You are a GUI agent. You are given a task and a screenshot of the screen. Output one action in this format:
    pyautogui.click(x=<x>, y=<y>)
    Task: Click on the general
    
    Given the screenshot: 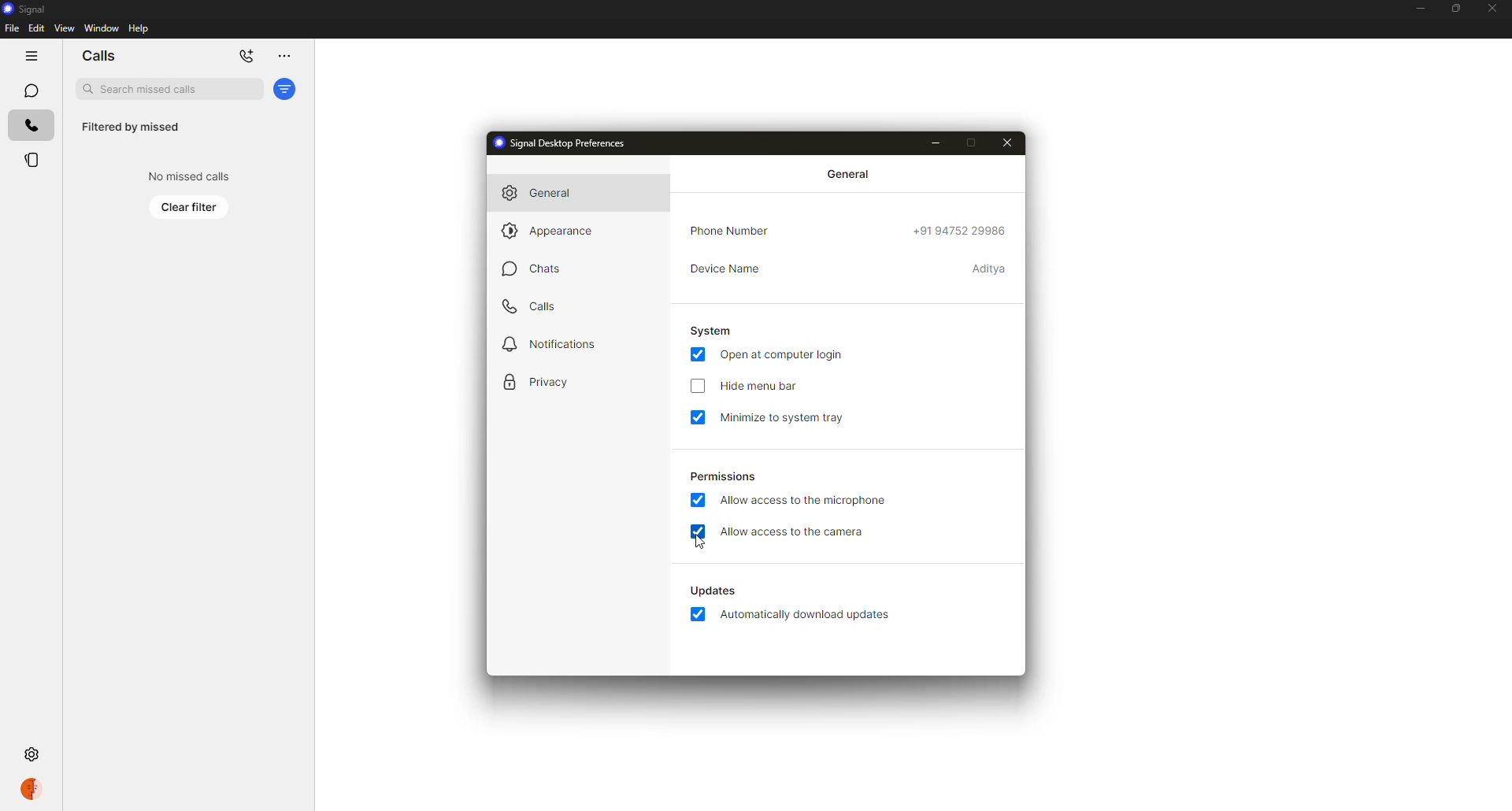 What is the action you would take?
    pyautogui.click(x=547, y=194)
    